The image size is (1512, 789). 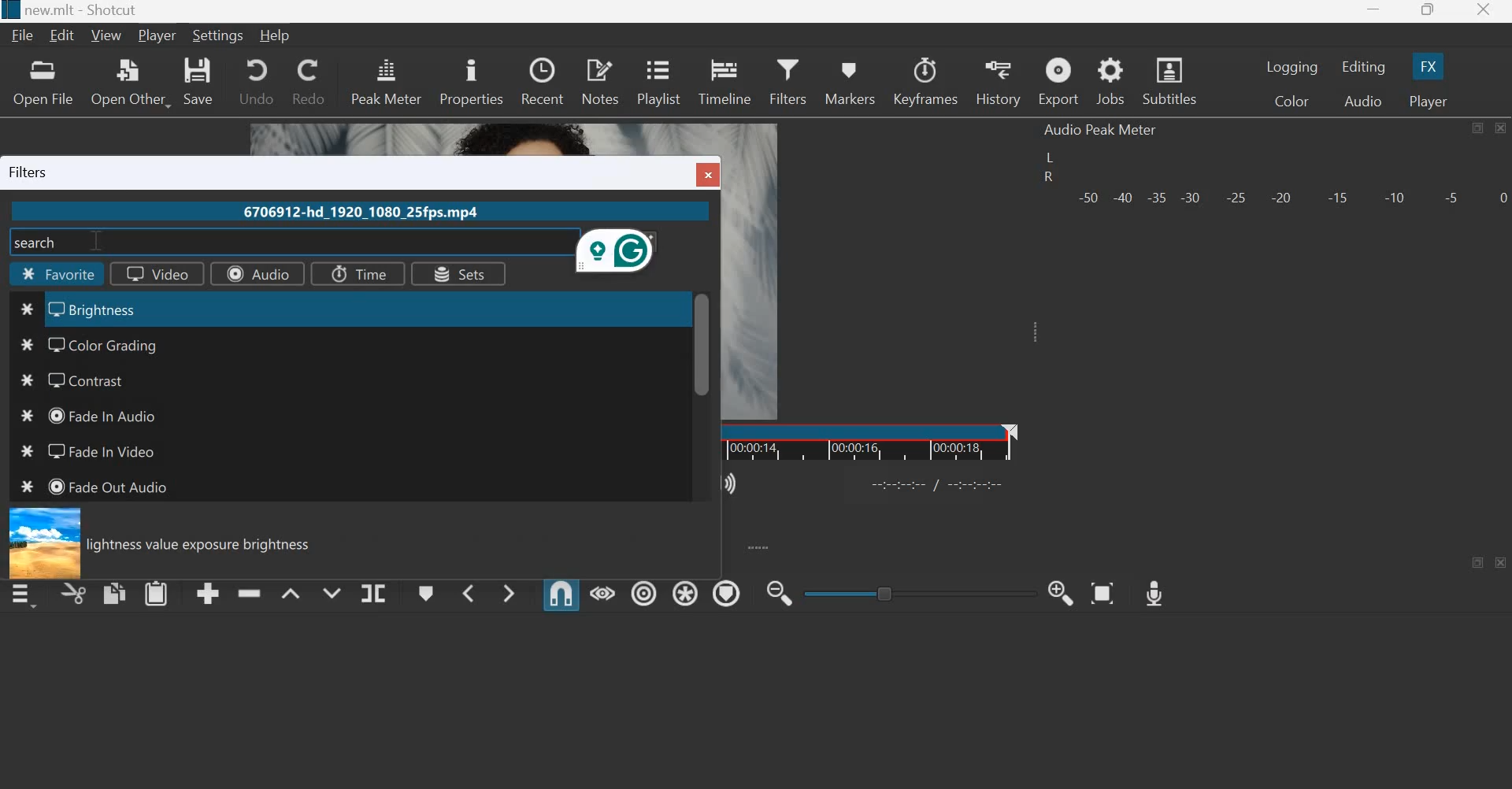 I want to click on peak meter, so click(x=387, y=80).